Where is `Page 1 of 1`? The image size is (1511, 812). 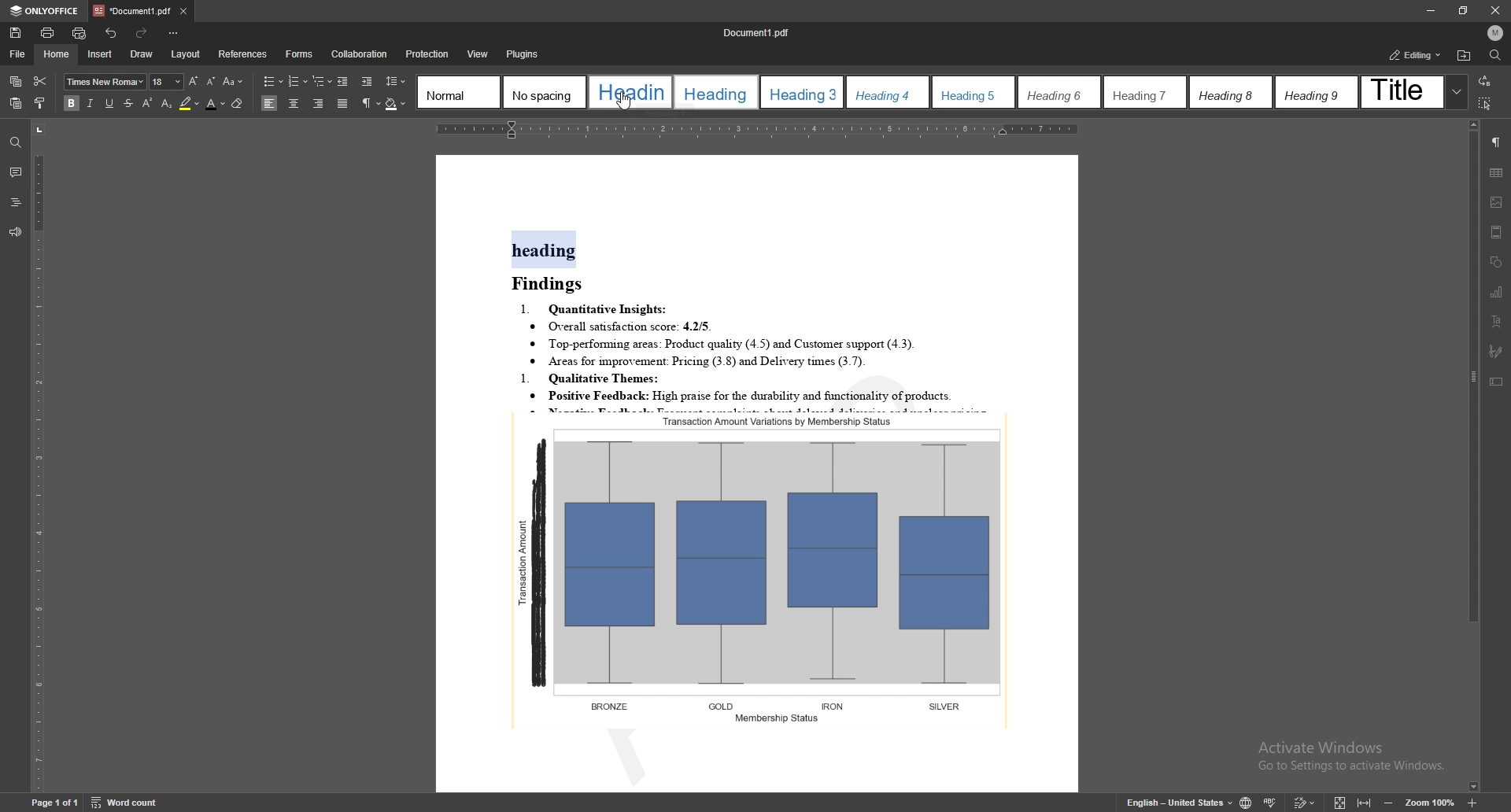
Page 1 of 1 is located at coordinates (42, 804).